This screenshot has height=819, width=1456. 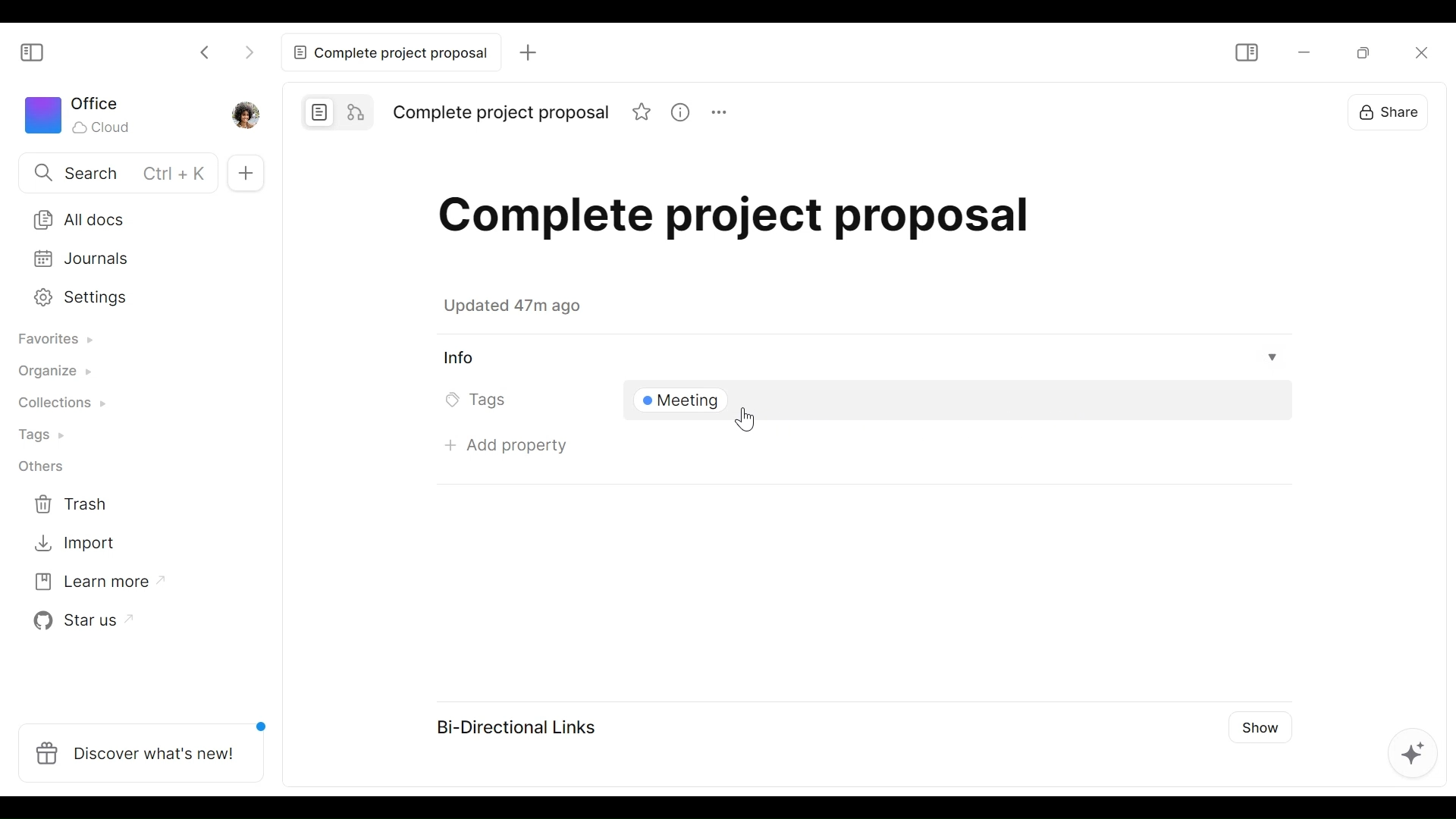 What do you see at coordinates (1409, 751) in the screenshot?
I see `AFFiNE AI` at bounding box center [1409, 751].